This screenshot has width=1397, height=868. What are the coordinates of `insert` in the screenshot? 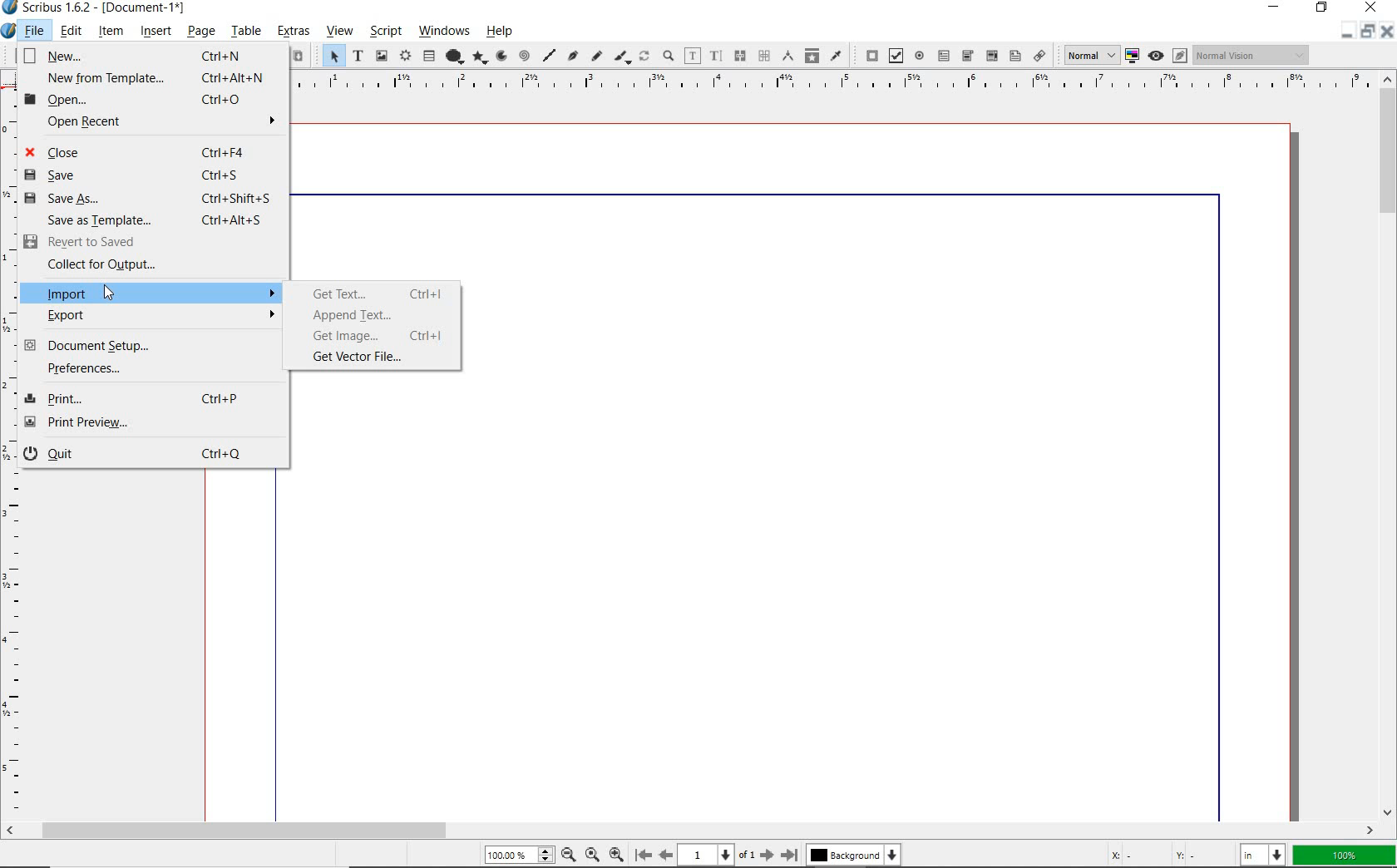 It's located at (155, 32).